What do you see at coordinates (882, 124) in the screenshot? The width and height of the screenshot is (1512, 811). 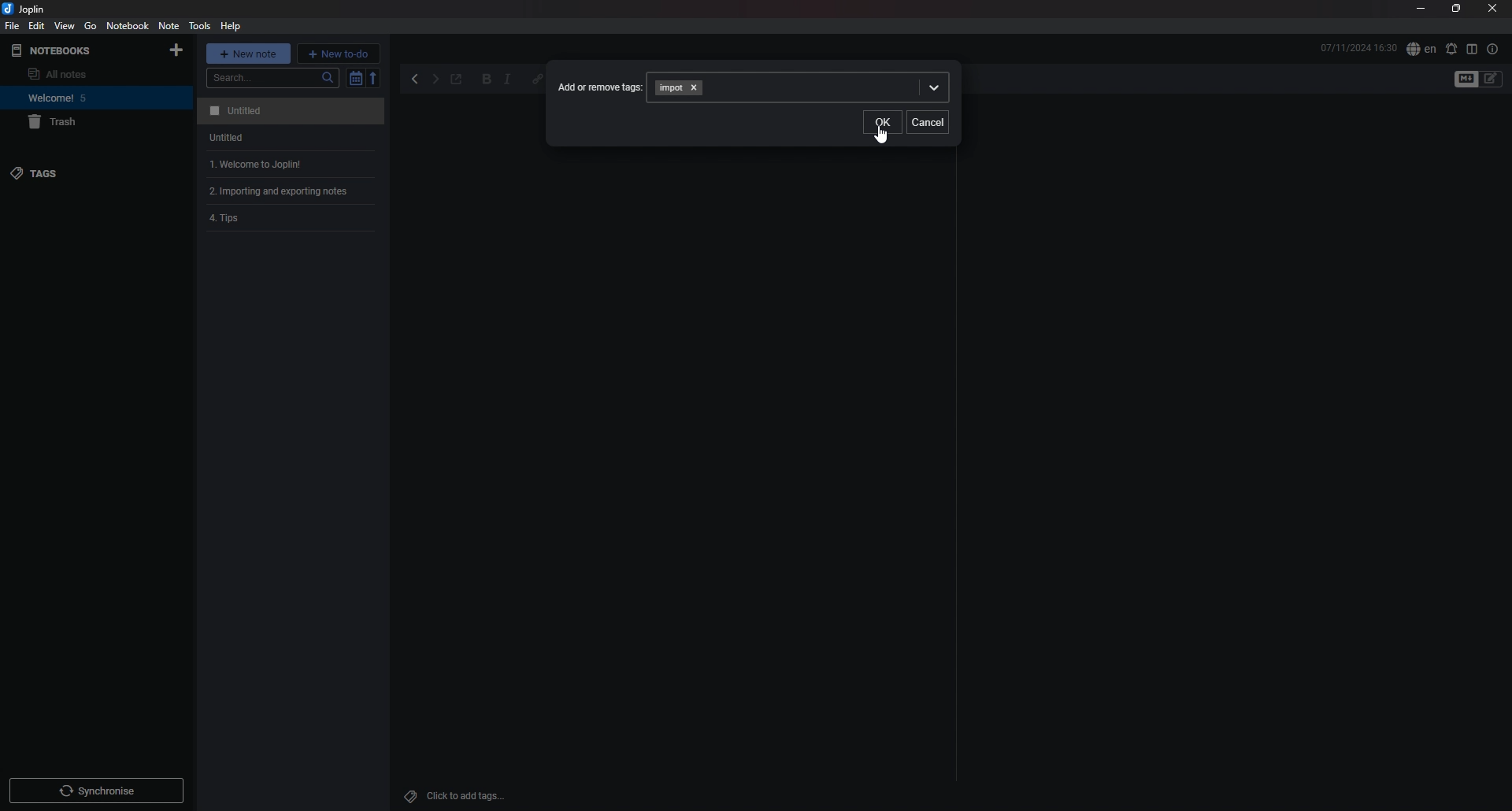 I see `ok` at bounding box center [882, 124].